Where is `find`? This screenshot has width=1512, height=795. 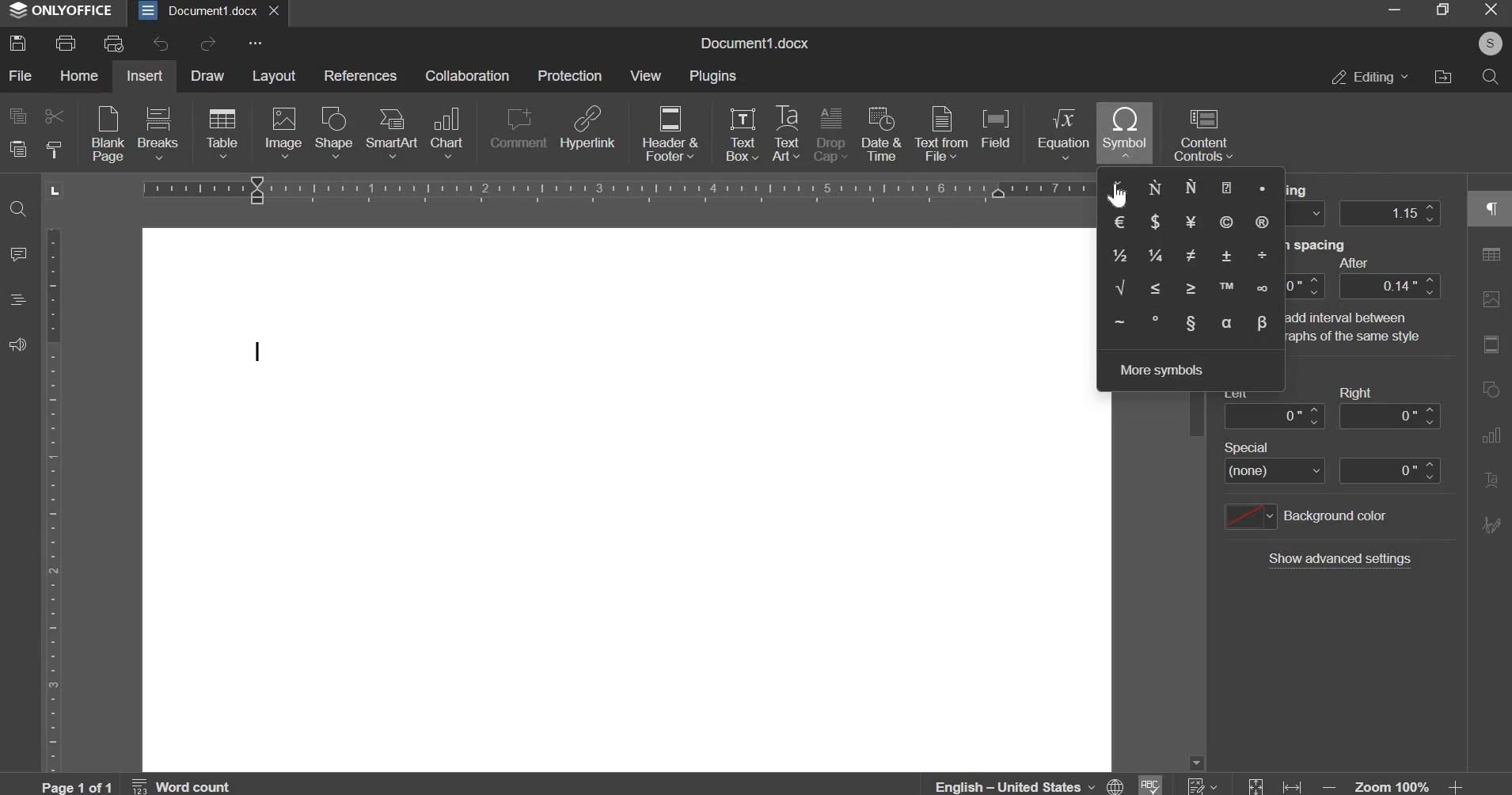 find is located at coordinates (17, 208).